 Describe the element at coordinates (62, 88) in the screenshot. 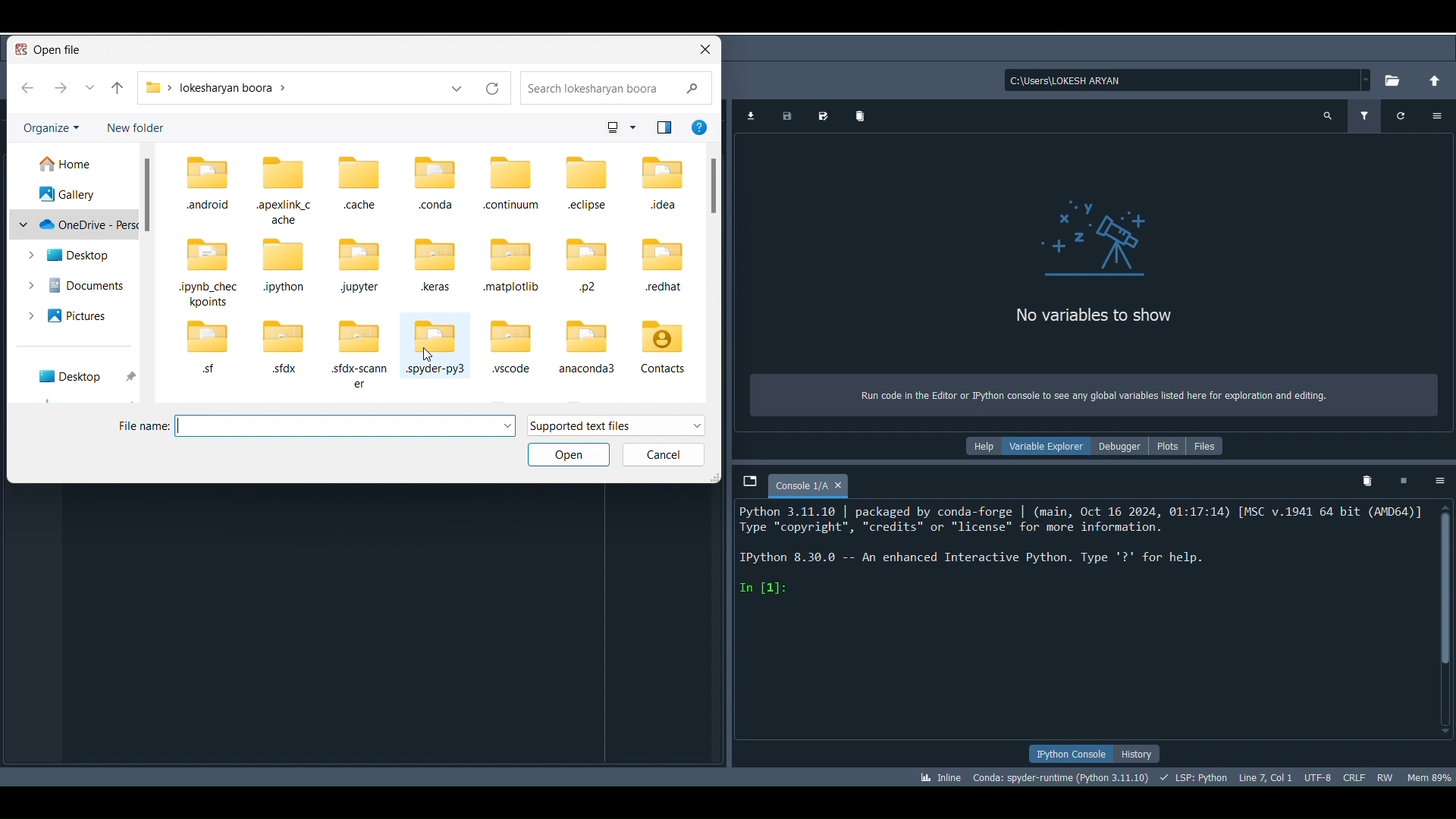

I see `go forward` at that location.